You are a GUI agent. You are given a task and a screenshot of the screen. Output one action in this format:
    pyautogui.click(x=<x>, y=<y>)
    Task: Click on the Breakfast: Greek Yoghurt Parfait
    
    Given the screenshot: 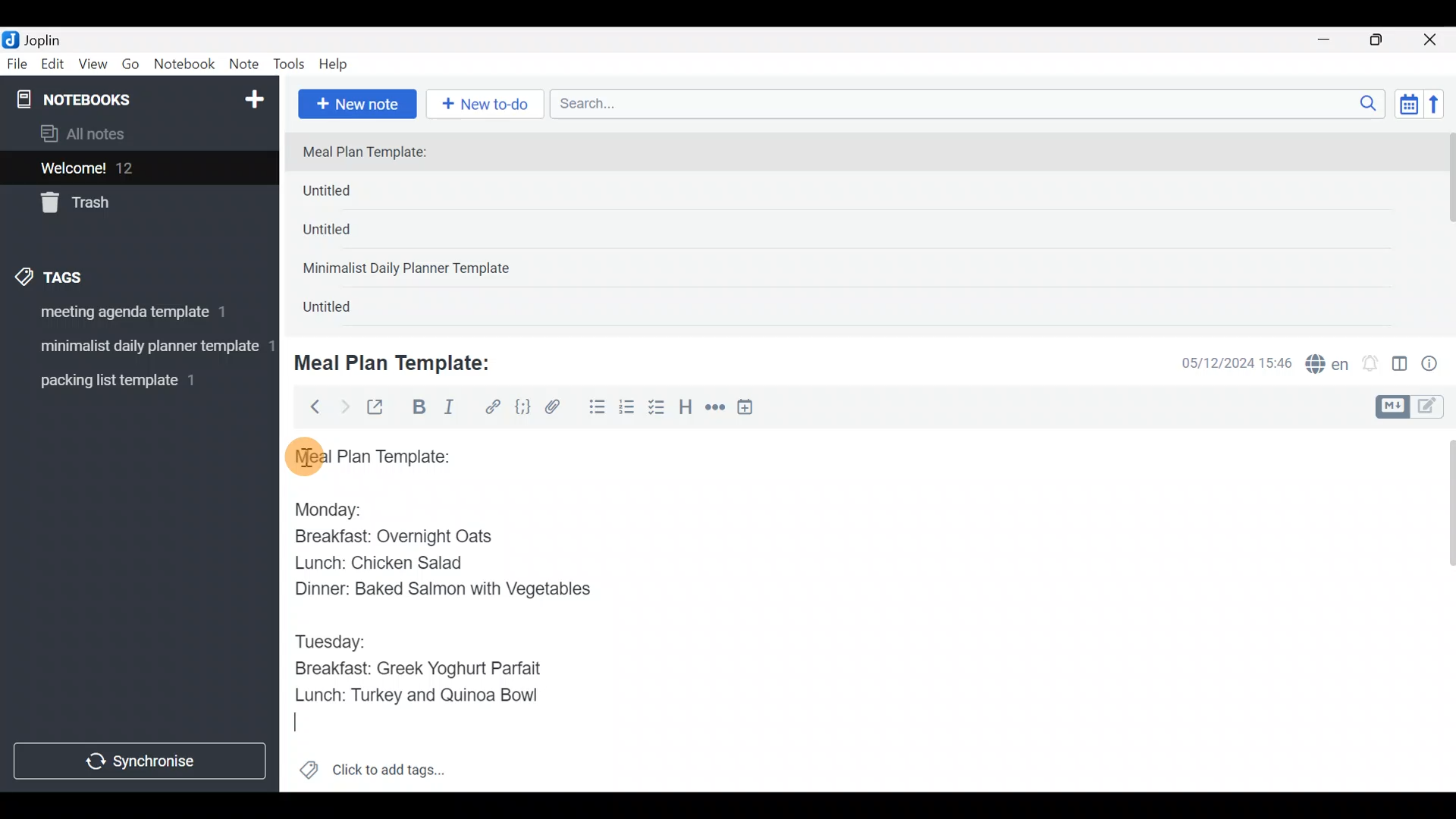 What is the action you would take?
    pyautogui.click(x=421, y=670)
    